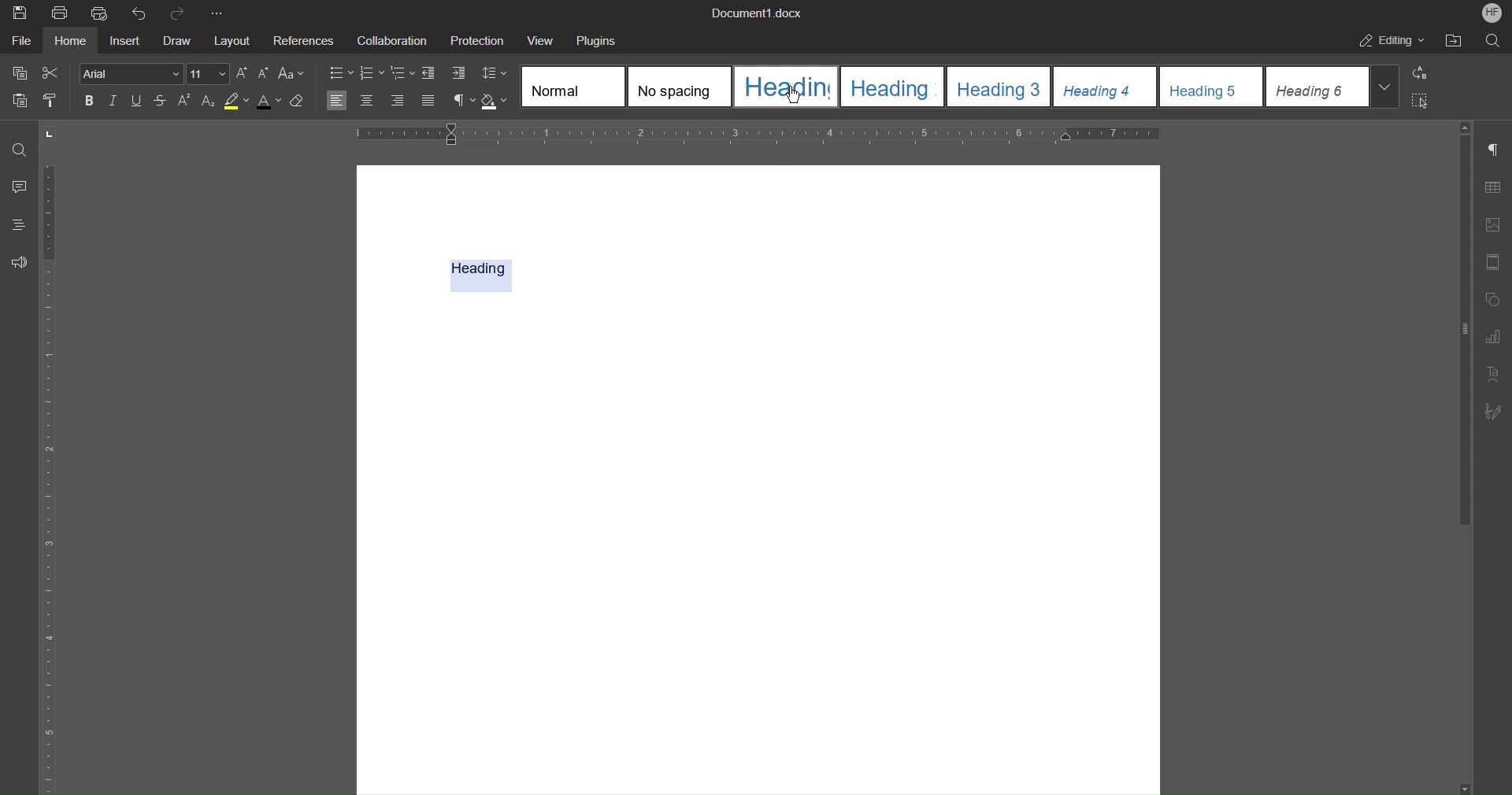 This screenshot has width=1512, height=795. What do you see at coordinates (1315, 86) in the screenshot?
I see `Heading 6` at bounding box center [1315, 86].